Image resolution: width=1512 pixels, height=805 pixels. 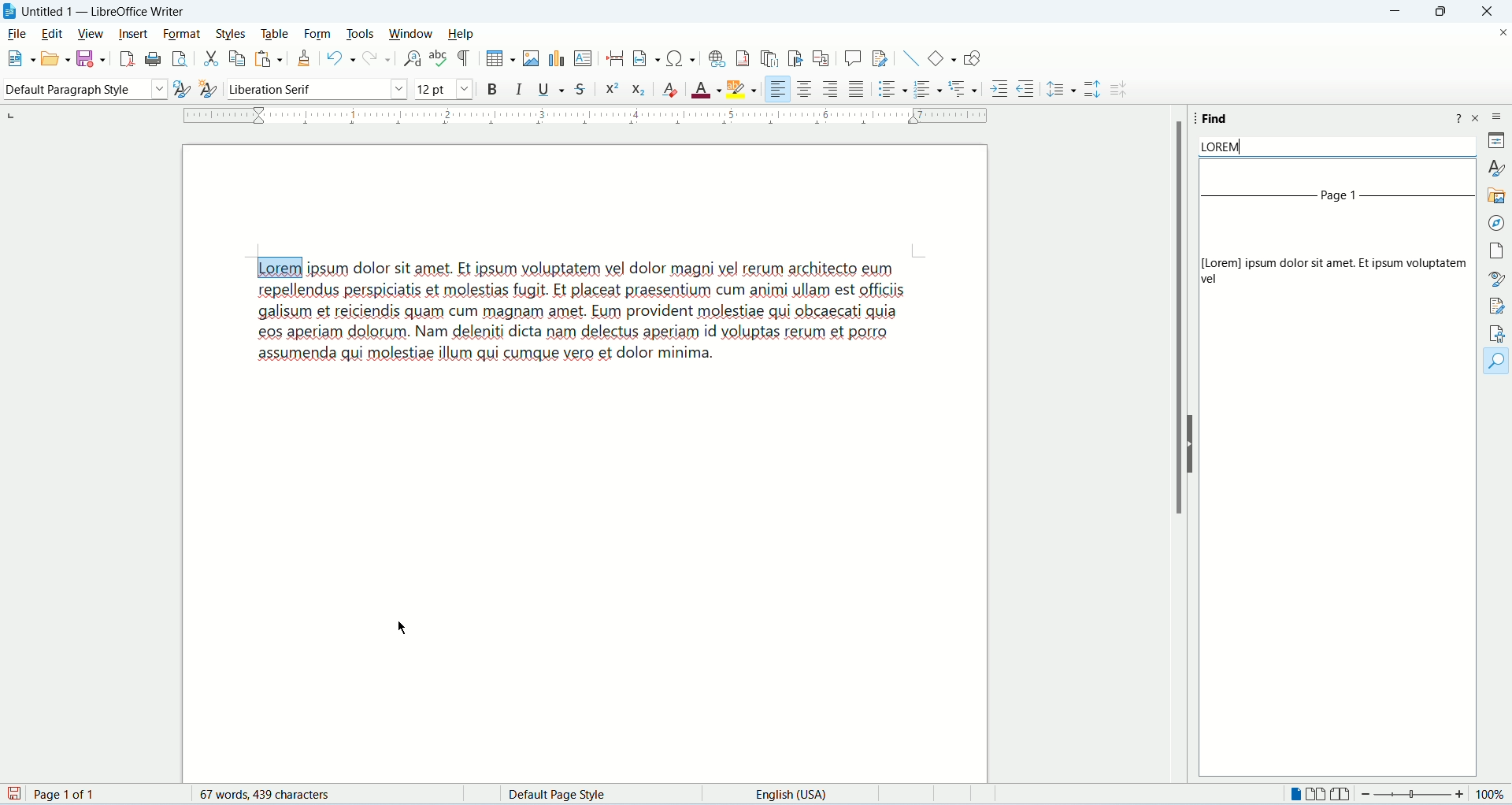 What do you see at coordinates (235, 57) in the screenshot?
I see `copy` at bounding box center [235, 57].